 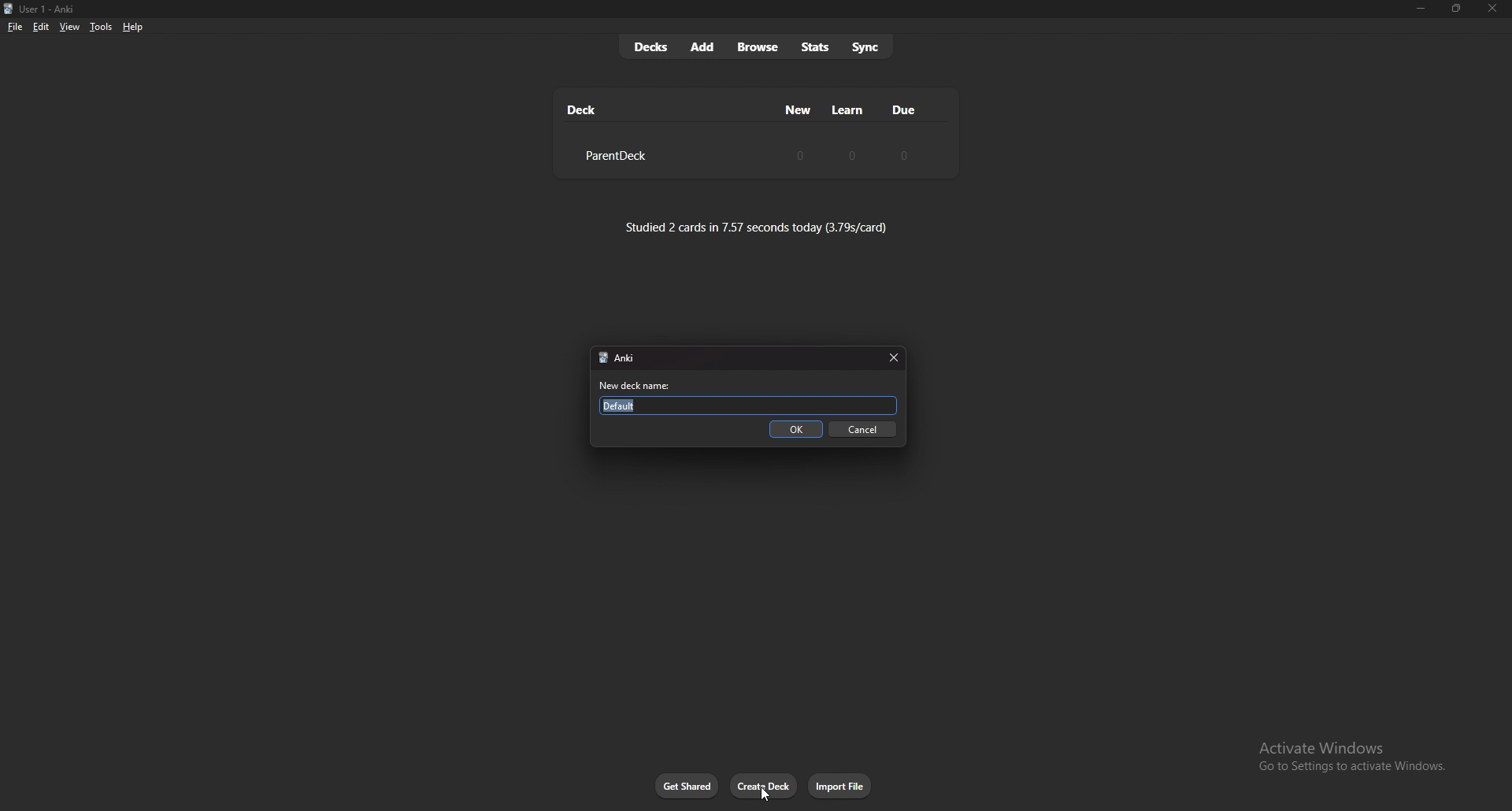 What do you see at coordinates (132, 28) in the screenshot?
I see `help` at bounding box center [132, 28].